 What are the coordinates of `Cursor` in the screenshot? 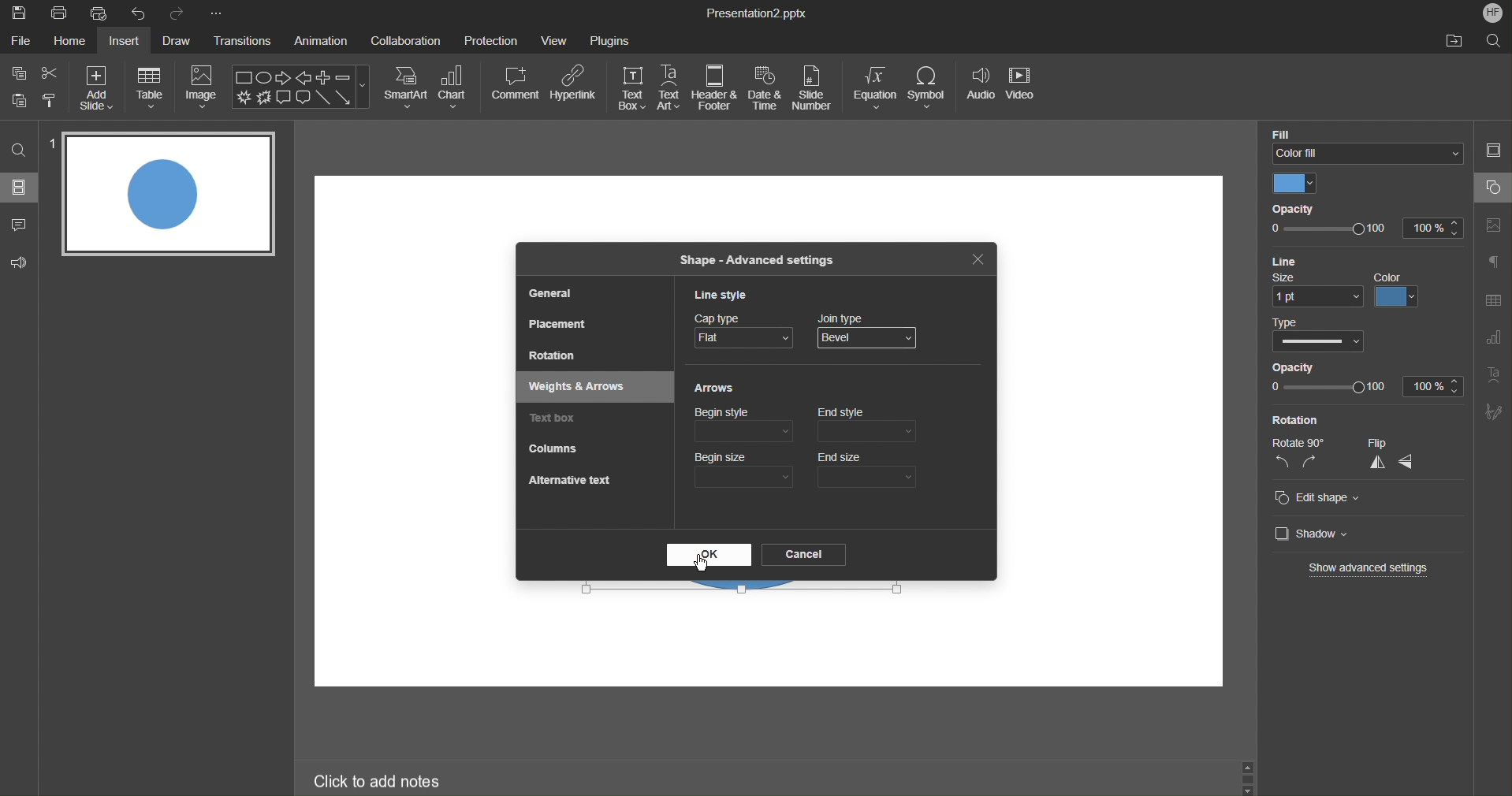 It's located at (696, 562).